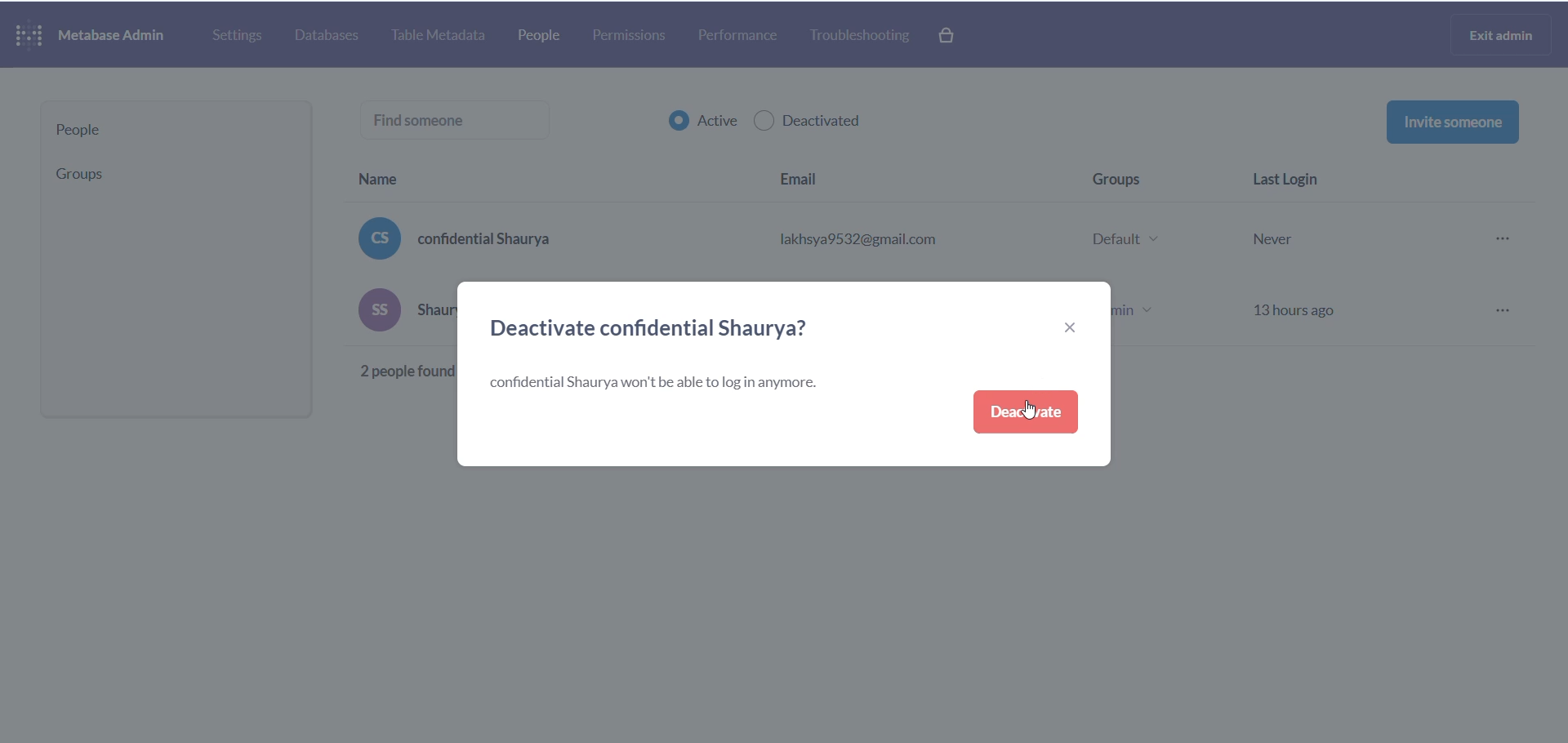 The image size is (1568, 743). Describe the element at coordinates (1294, 309) in the screenshot. I see `13hours ago` at that location.